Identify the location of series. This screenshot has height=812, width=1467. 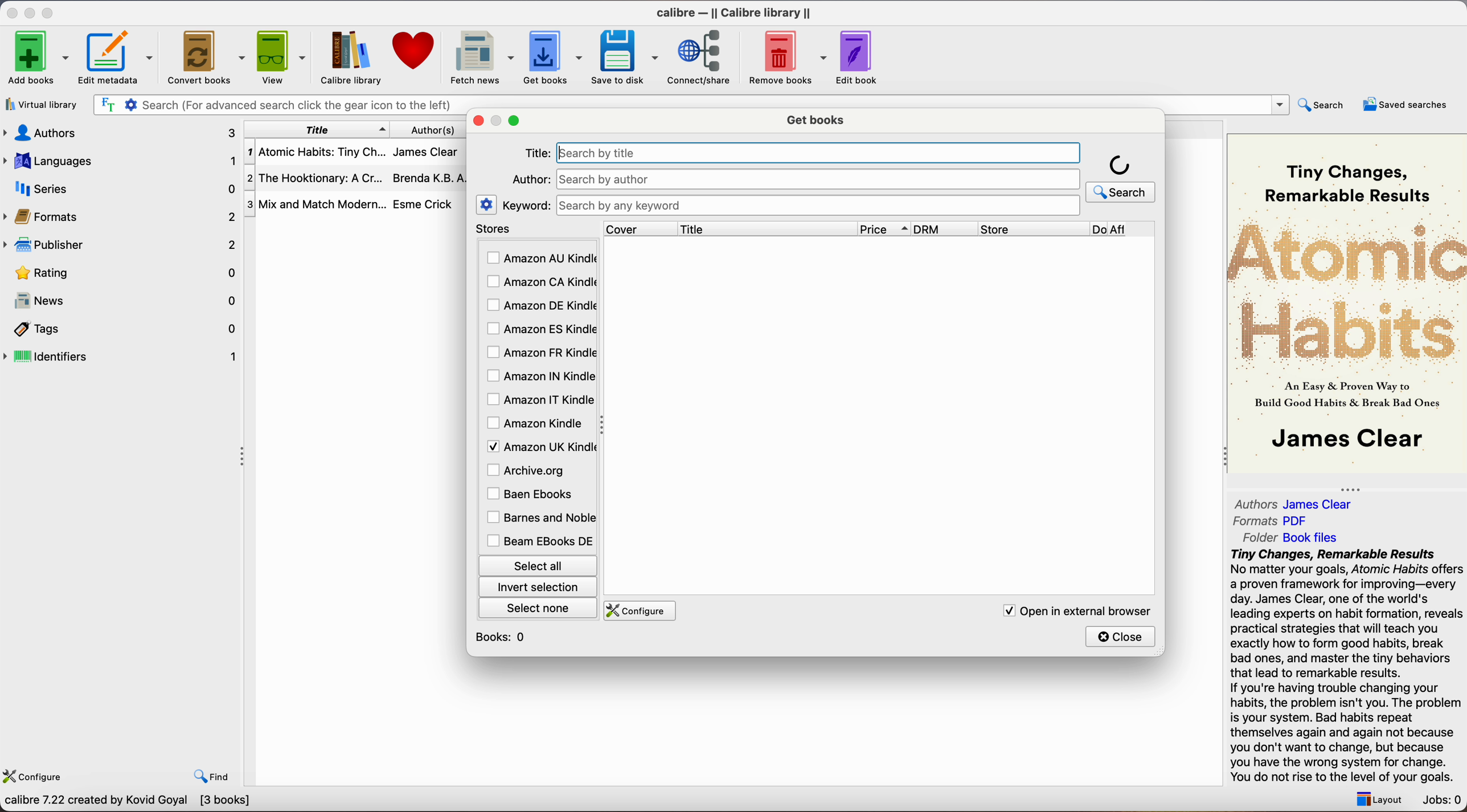
(121, 188).